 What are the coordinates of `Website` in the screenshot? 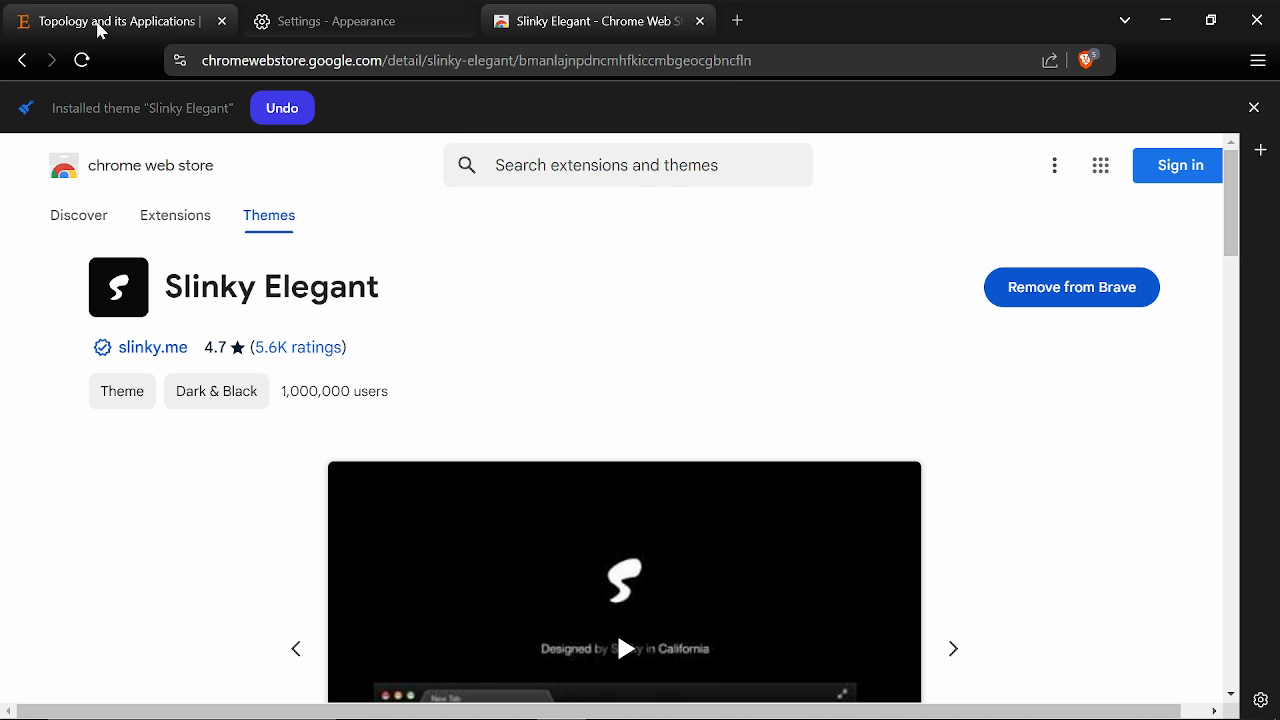 It's located at (133, 348).